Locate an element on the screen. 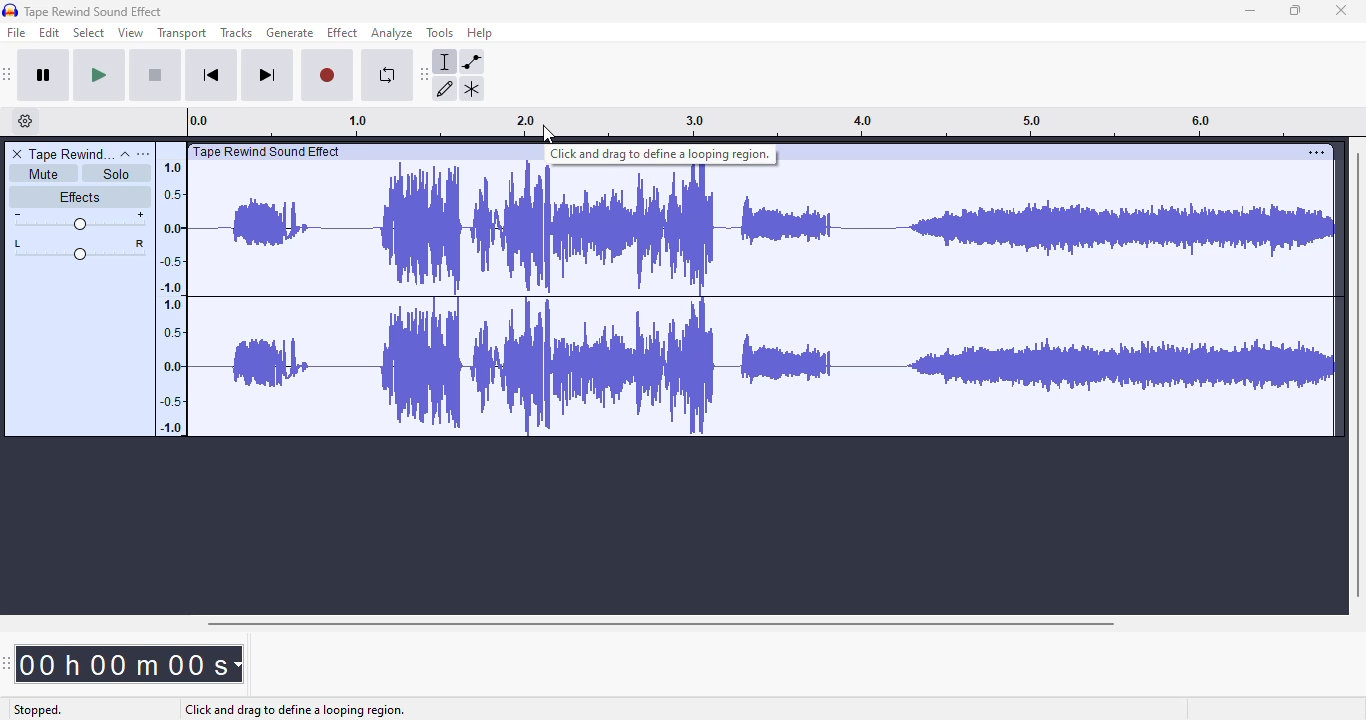  skip to end is located at coordinates (268, 75).